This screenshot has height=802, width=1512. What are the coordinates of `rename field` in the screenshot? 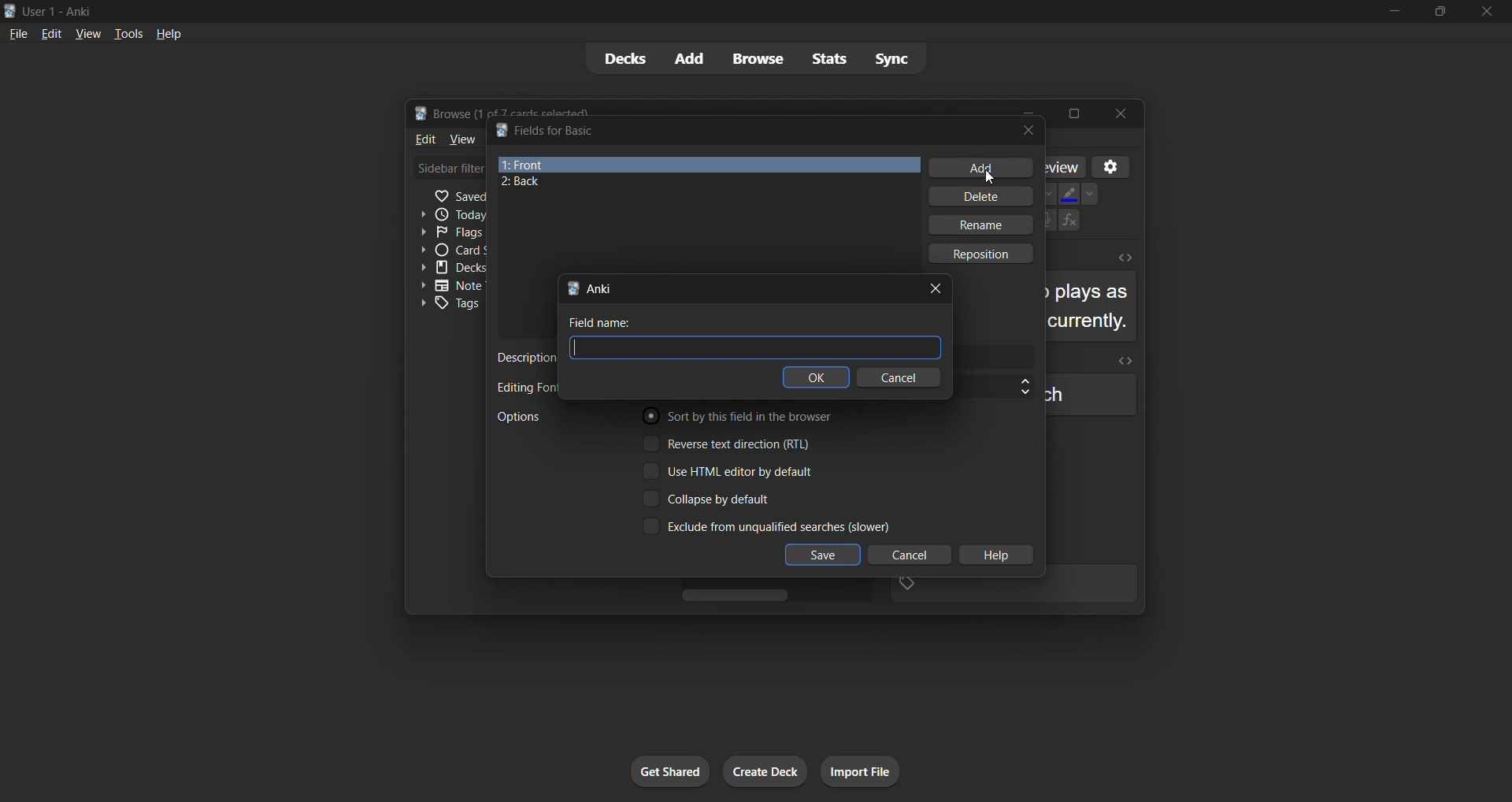 It's located at (982, 227).